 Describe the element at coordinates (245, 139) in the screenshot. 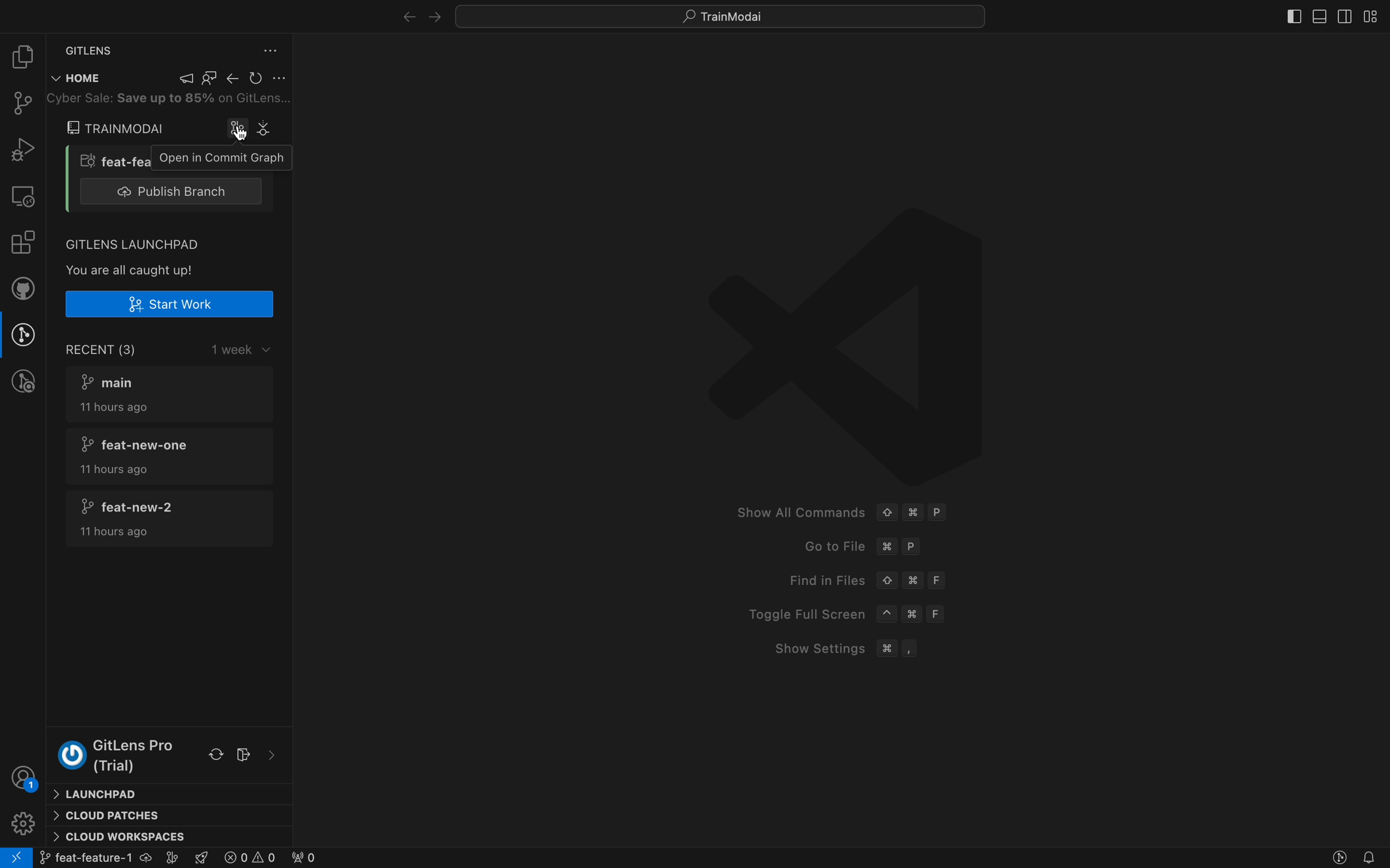

I see `Cursor` at that location.